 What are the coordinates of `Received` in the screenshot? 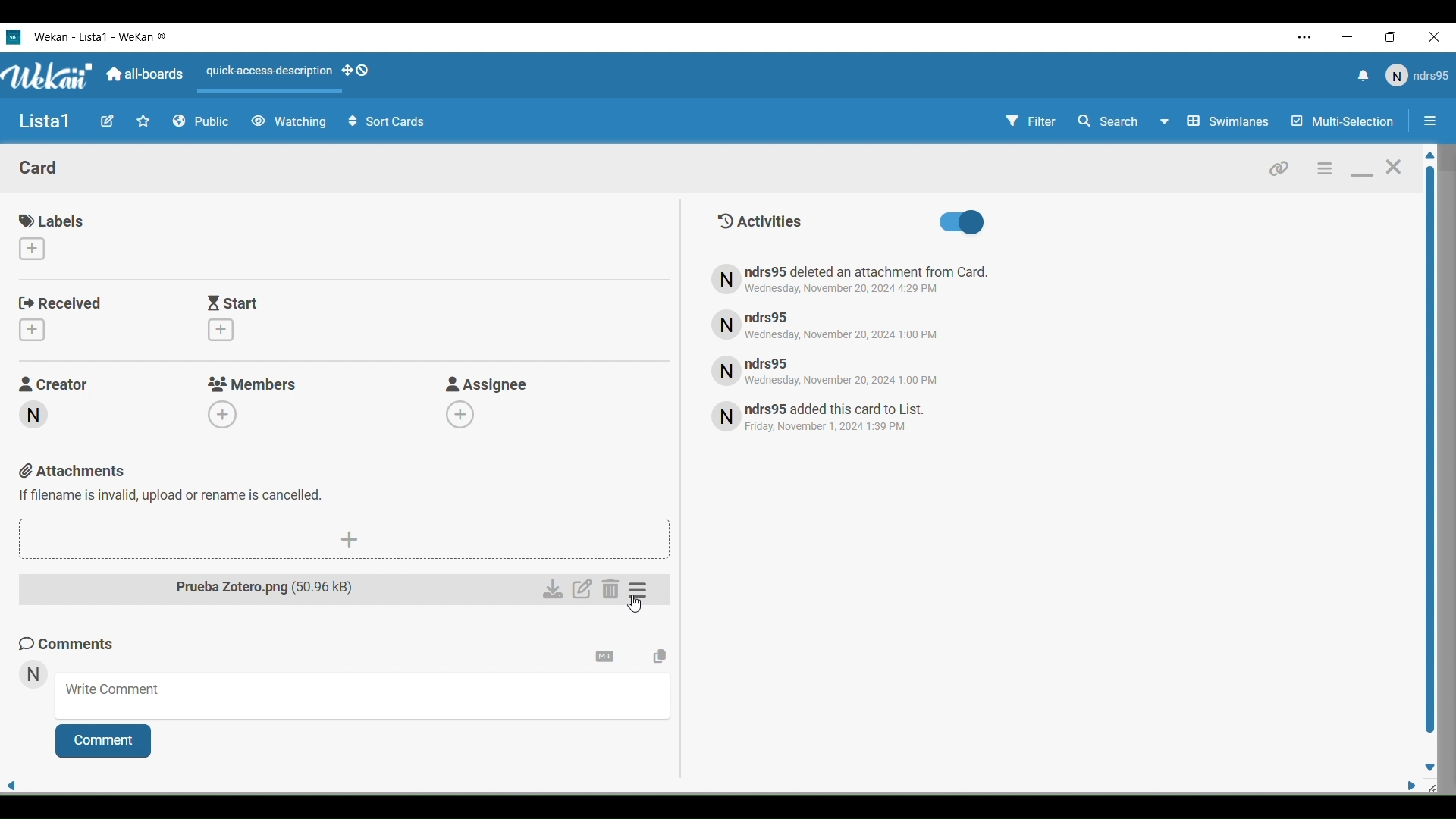 It's located at (61, 303).